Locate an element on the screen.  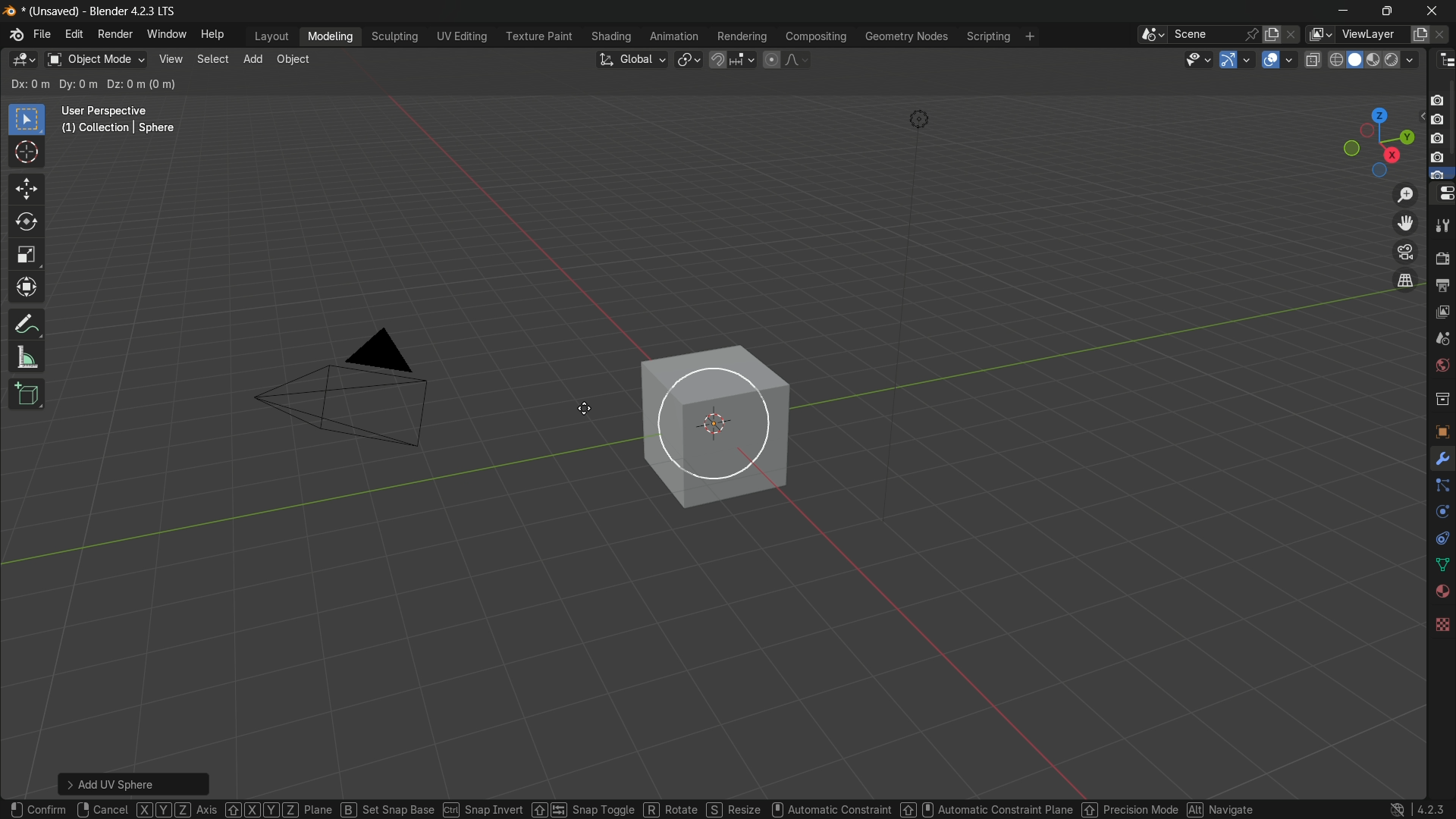
Cancel is located at coordinates (101, 810).